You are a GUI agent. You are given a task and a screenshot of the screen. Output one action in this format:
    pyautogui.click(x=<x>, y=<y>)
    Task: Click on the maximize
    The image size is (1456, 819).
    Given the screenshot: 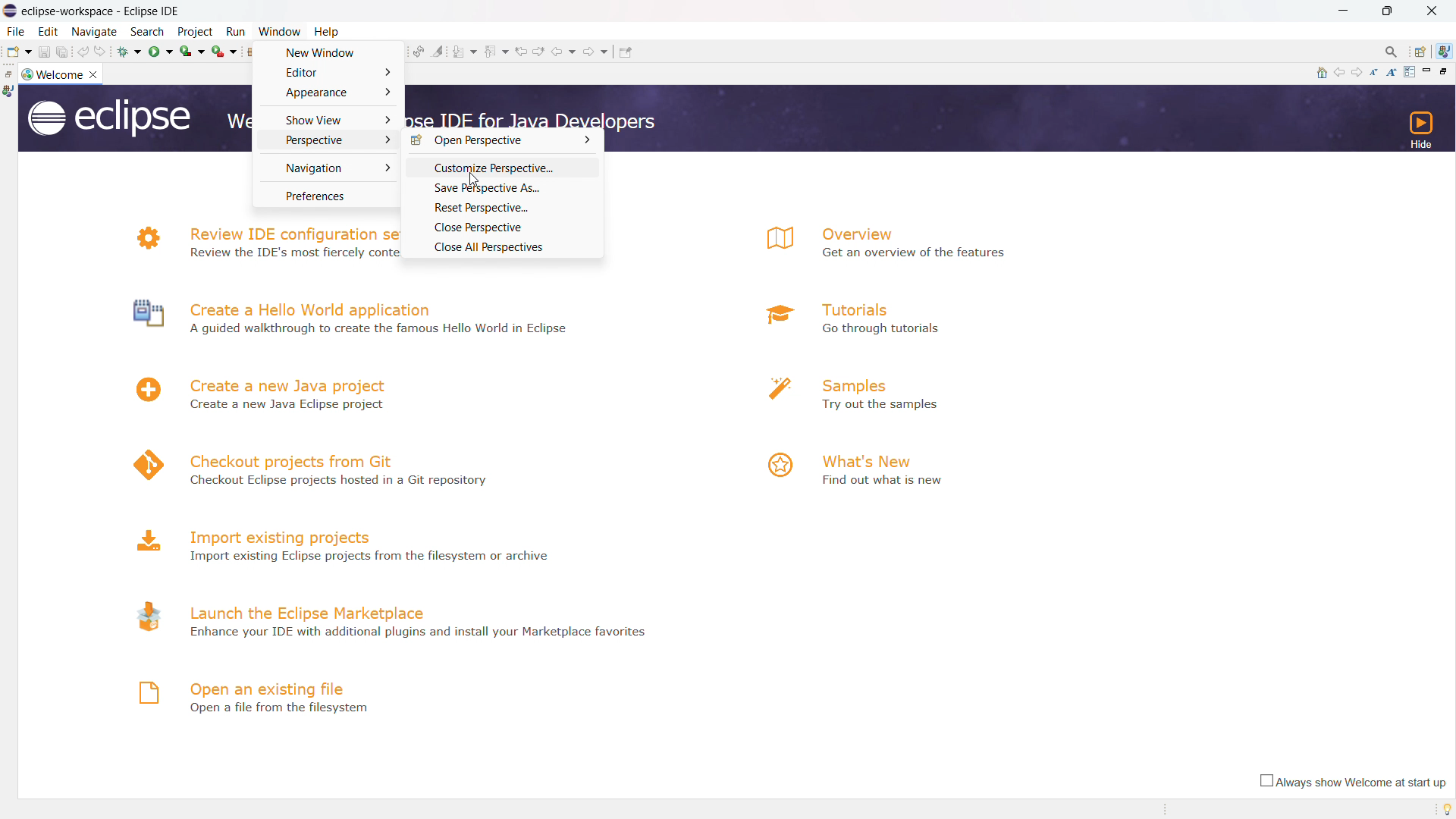 What is the action you would take?
    pyautogui.click(x=1389, y=11)
    